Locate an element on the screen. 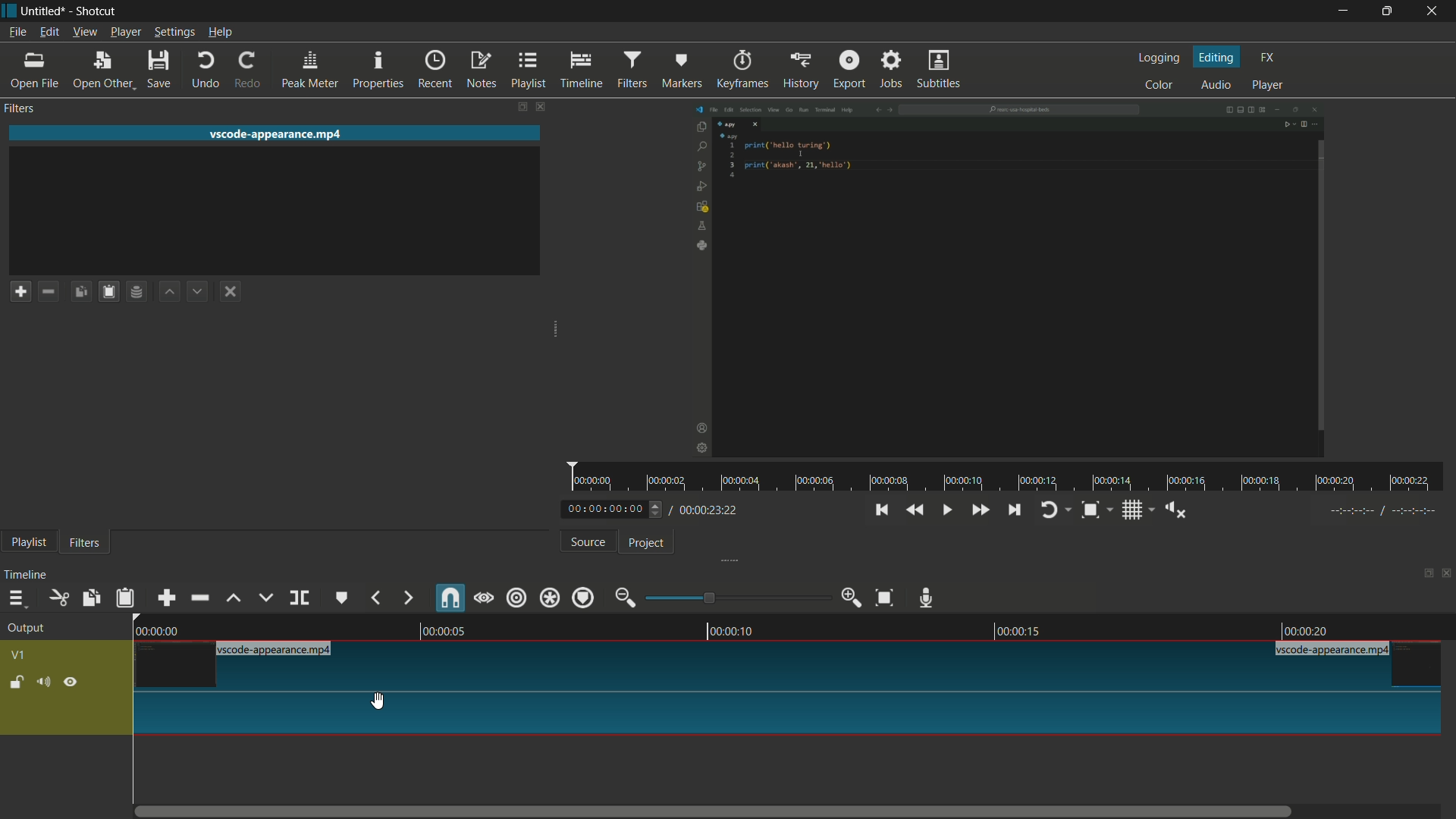 The height and width of the screenshot is (819, 1456). color is located at coordinates (1158, 83).